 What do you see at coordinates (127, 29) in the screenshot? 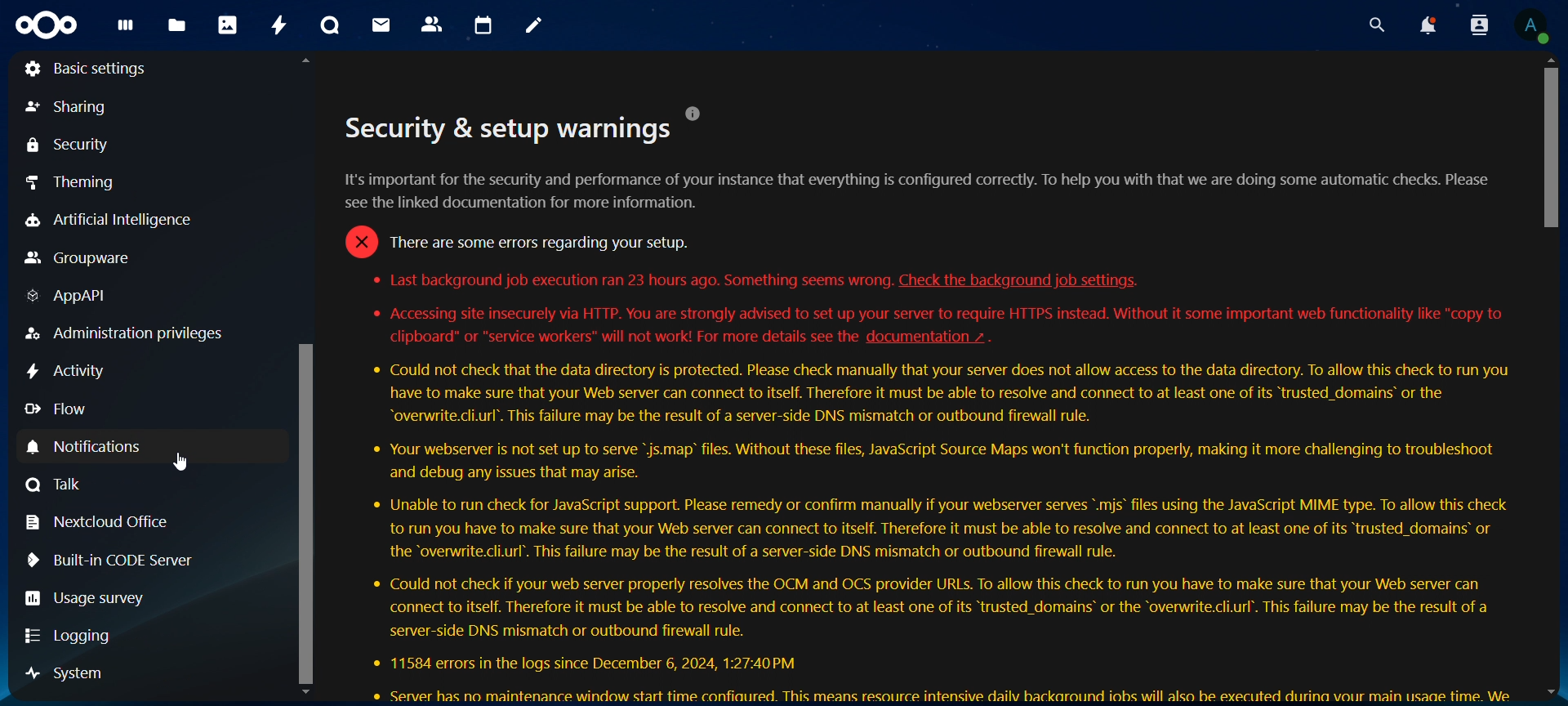
I see `dashboard` at bounding box center [127, 29].